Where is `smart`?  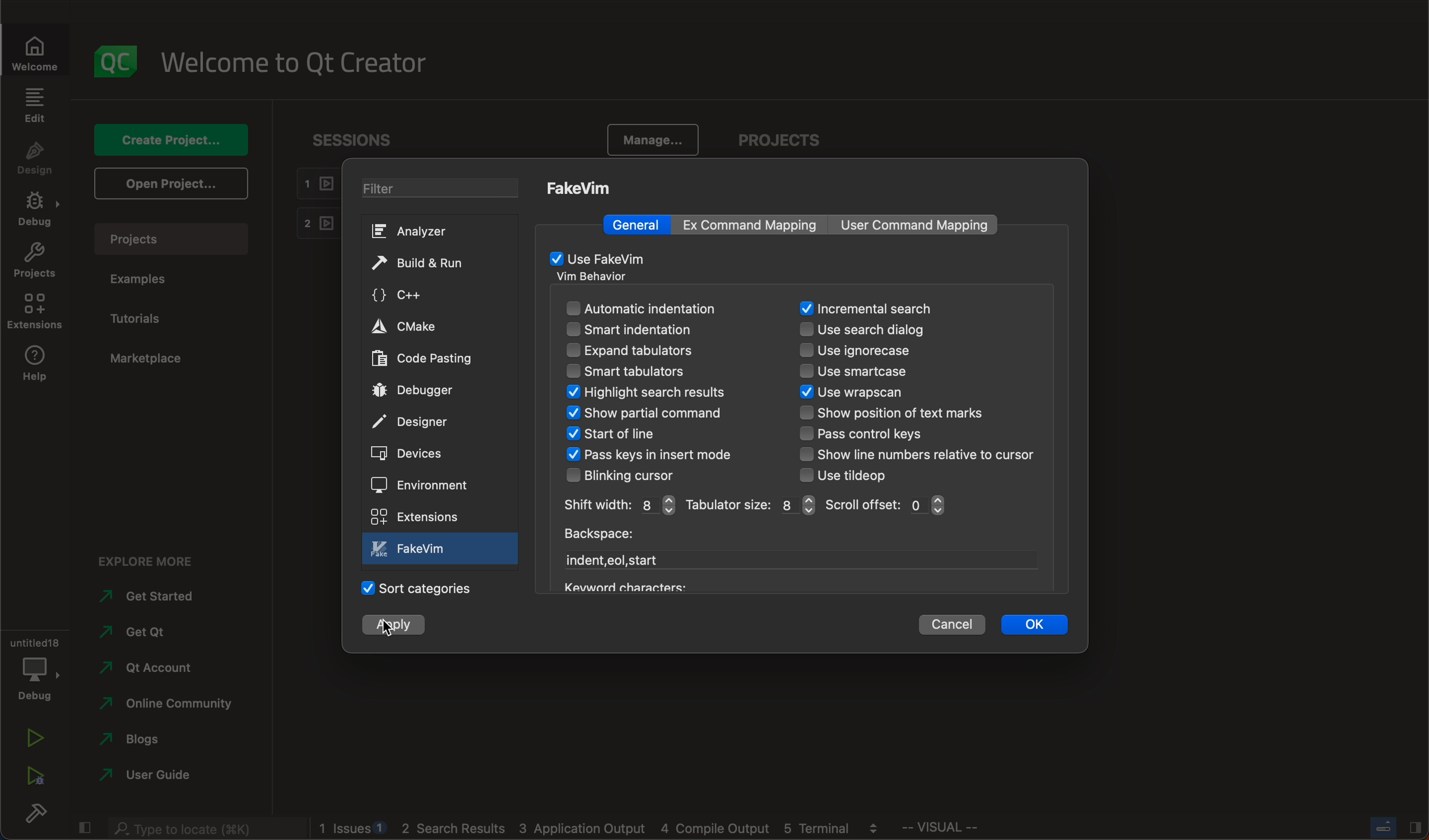
smart is located at coordinates (653, 329).